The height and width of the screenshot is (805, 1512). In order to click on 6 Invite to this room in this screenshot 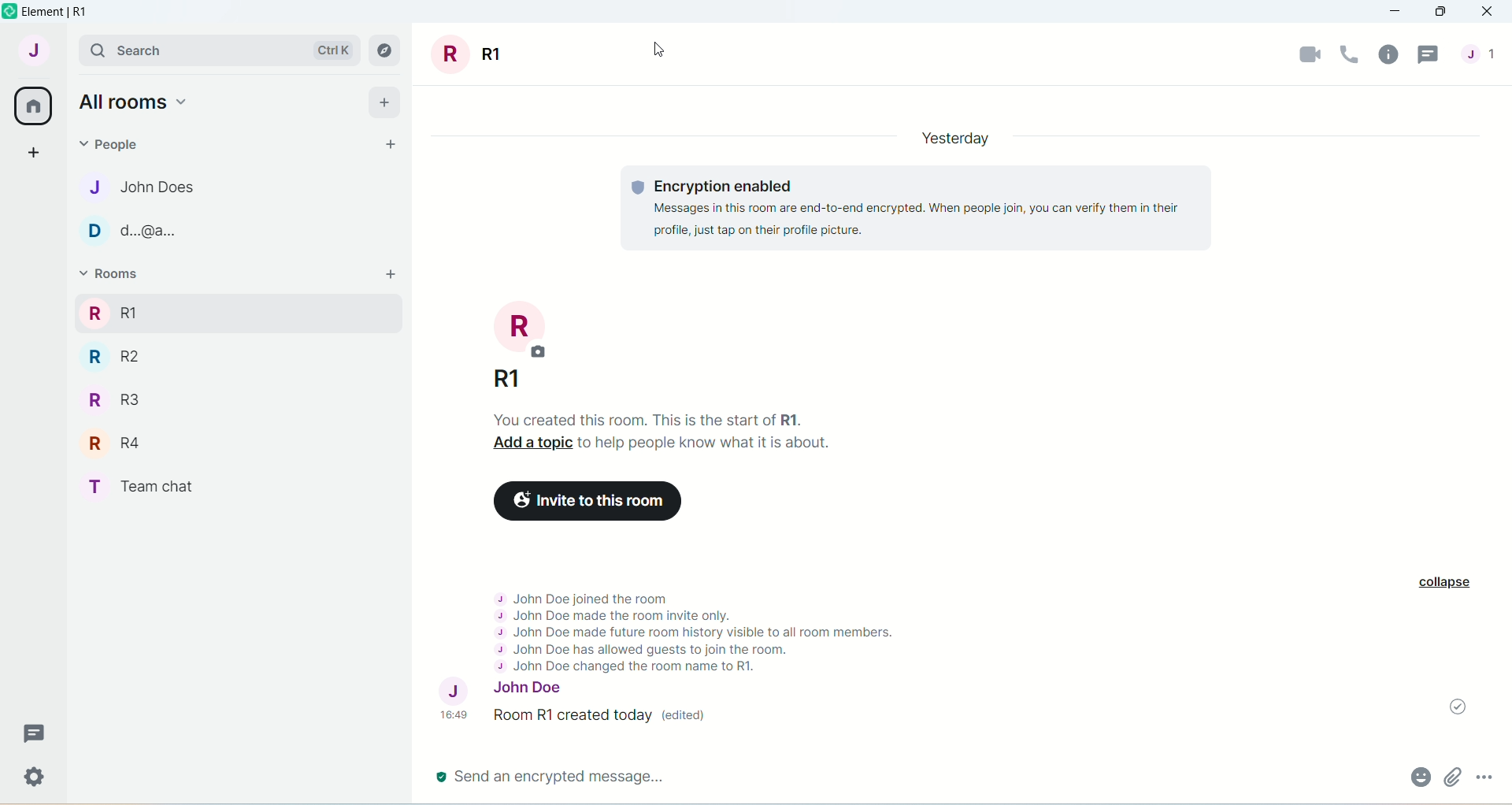, I will do `click(584, 500)`.